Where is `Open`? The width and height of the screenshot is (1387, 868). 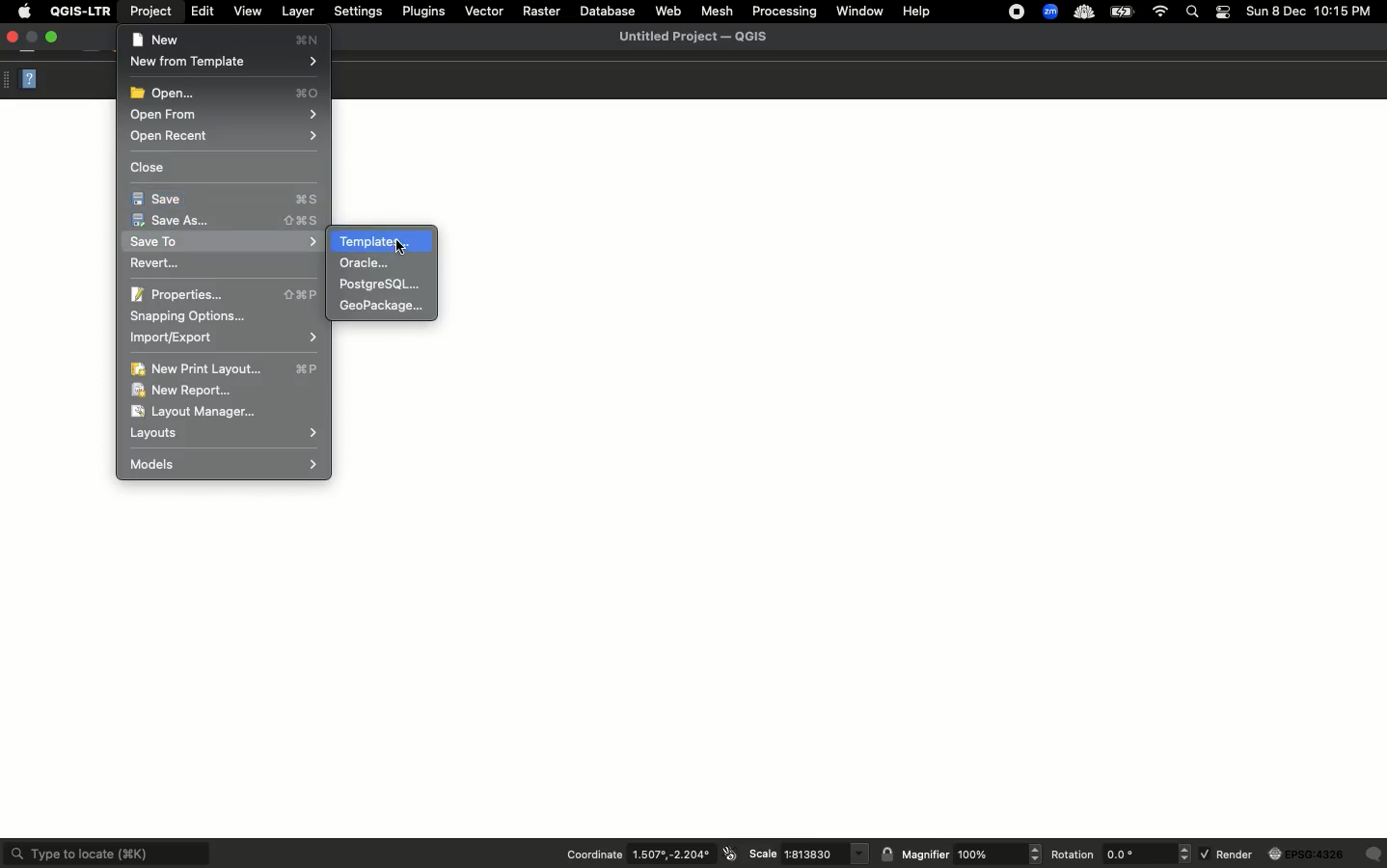 Open is located at coordinates (227, 94).